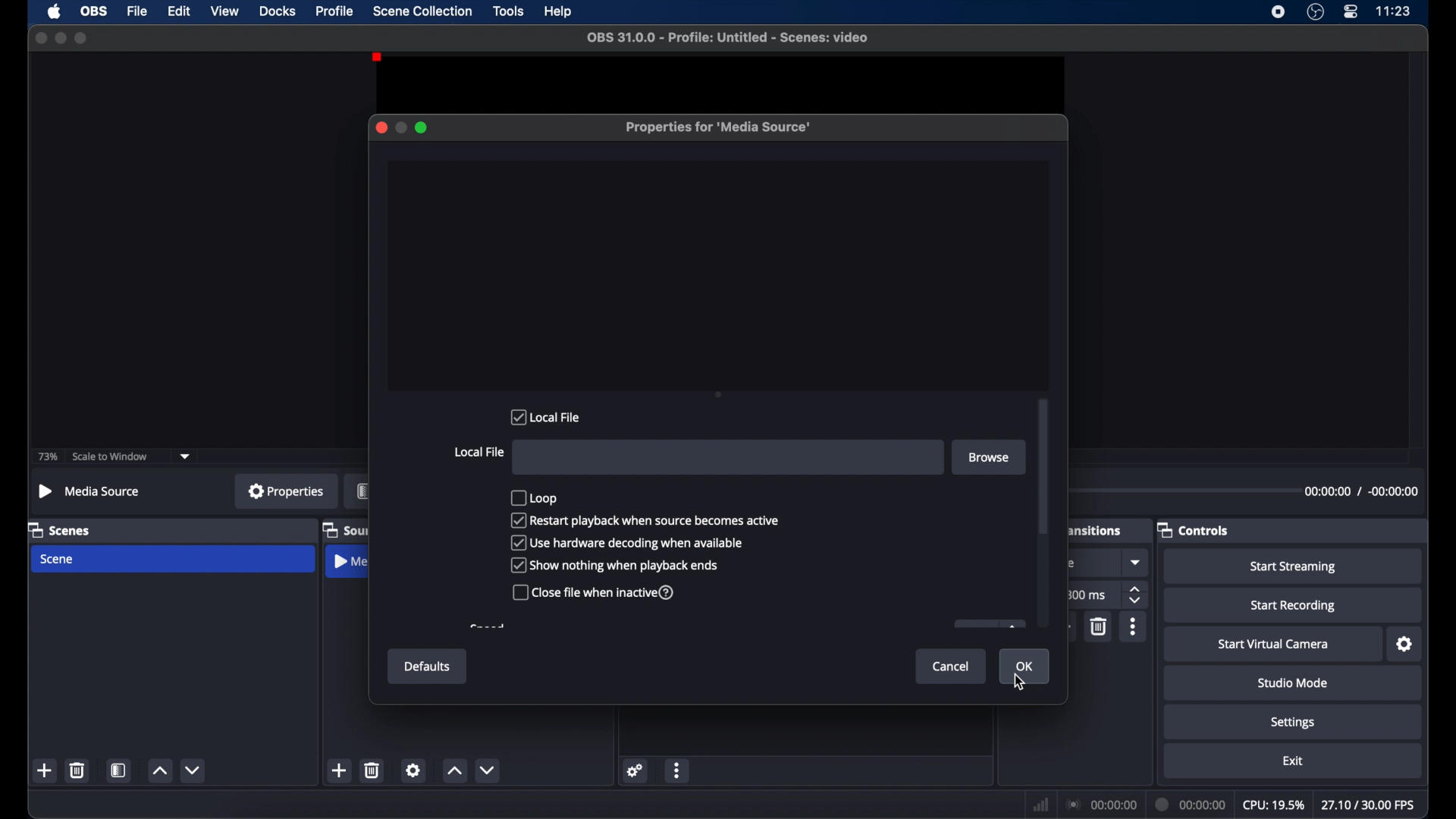 The height and width of the screenshot is (819, 1456). I want to click on more options, so click(679, 770).